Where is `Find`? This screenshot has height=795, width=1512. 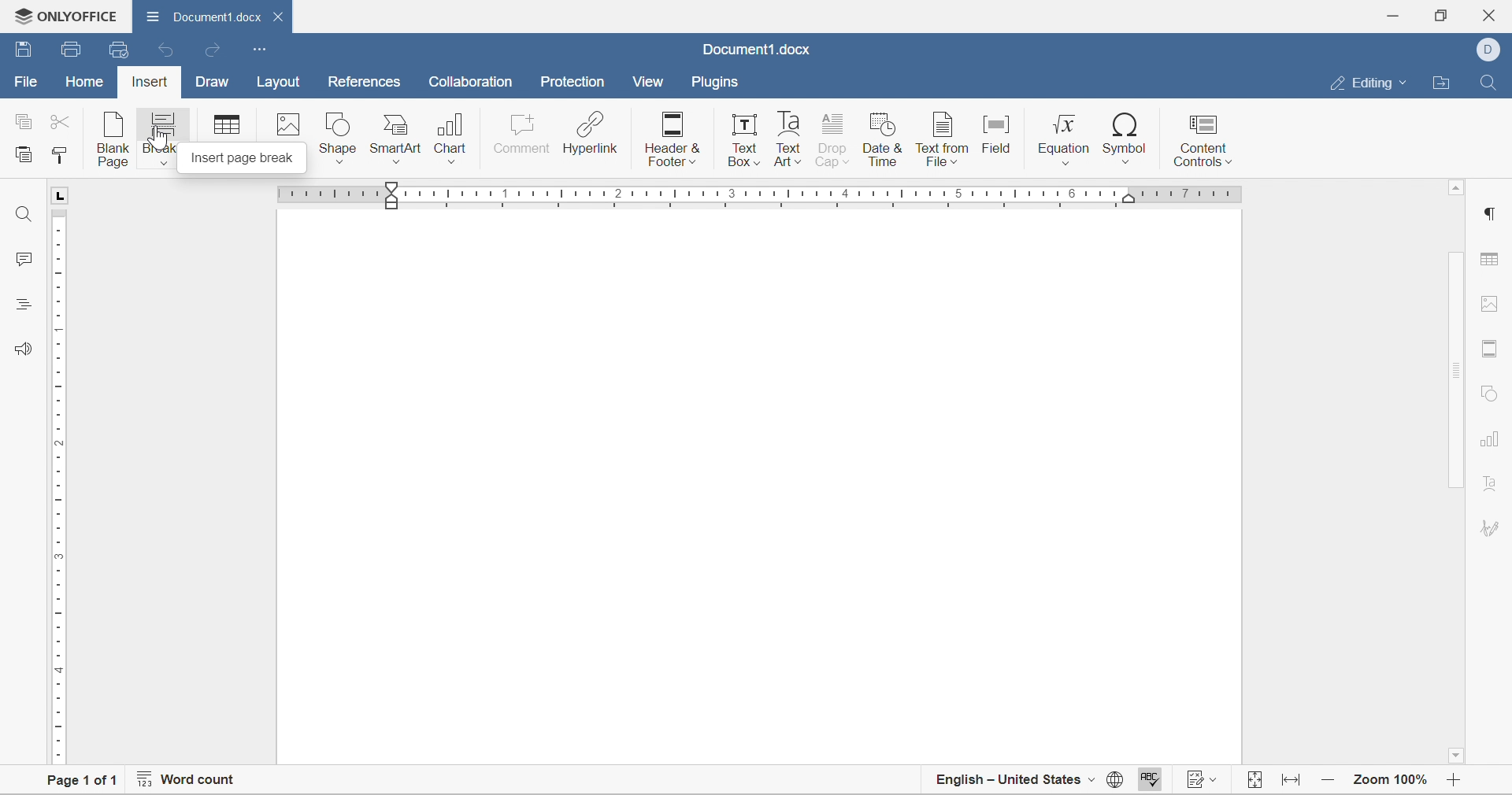 Find is located at coordinates (23, 212).